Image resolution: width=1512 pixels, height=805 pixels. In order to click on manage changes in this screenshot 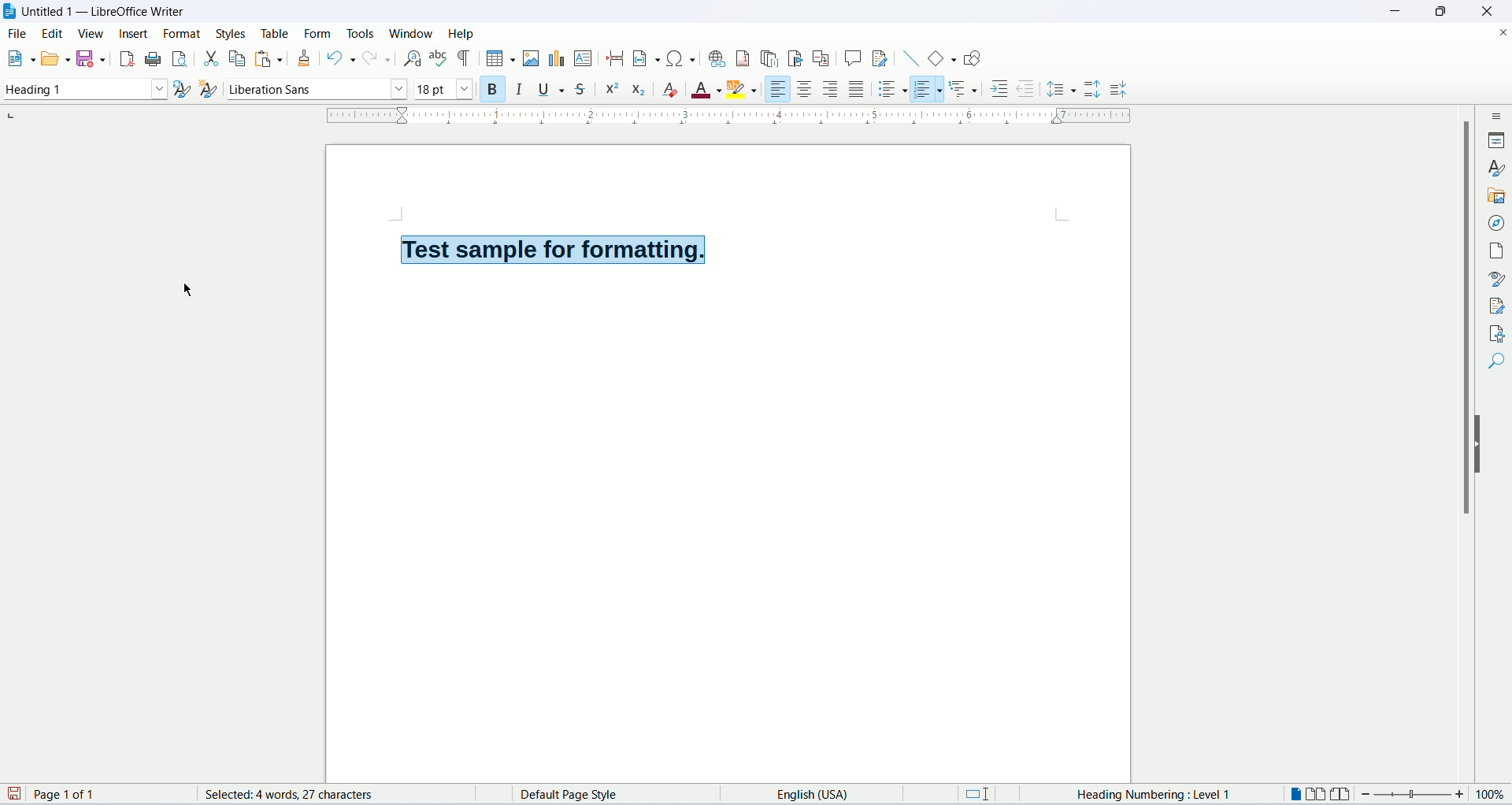, I will do `click(1496, 306)`.